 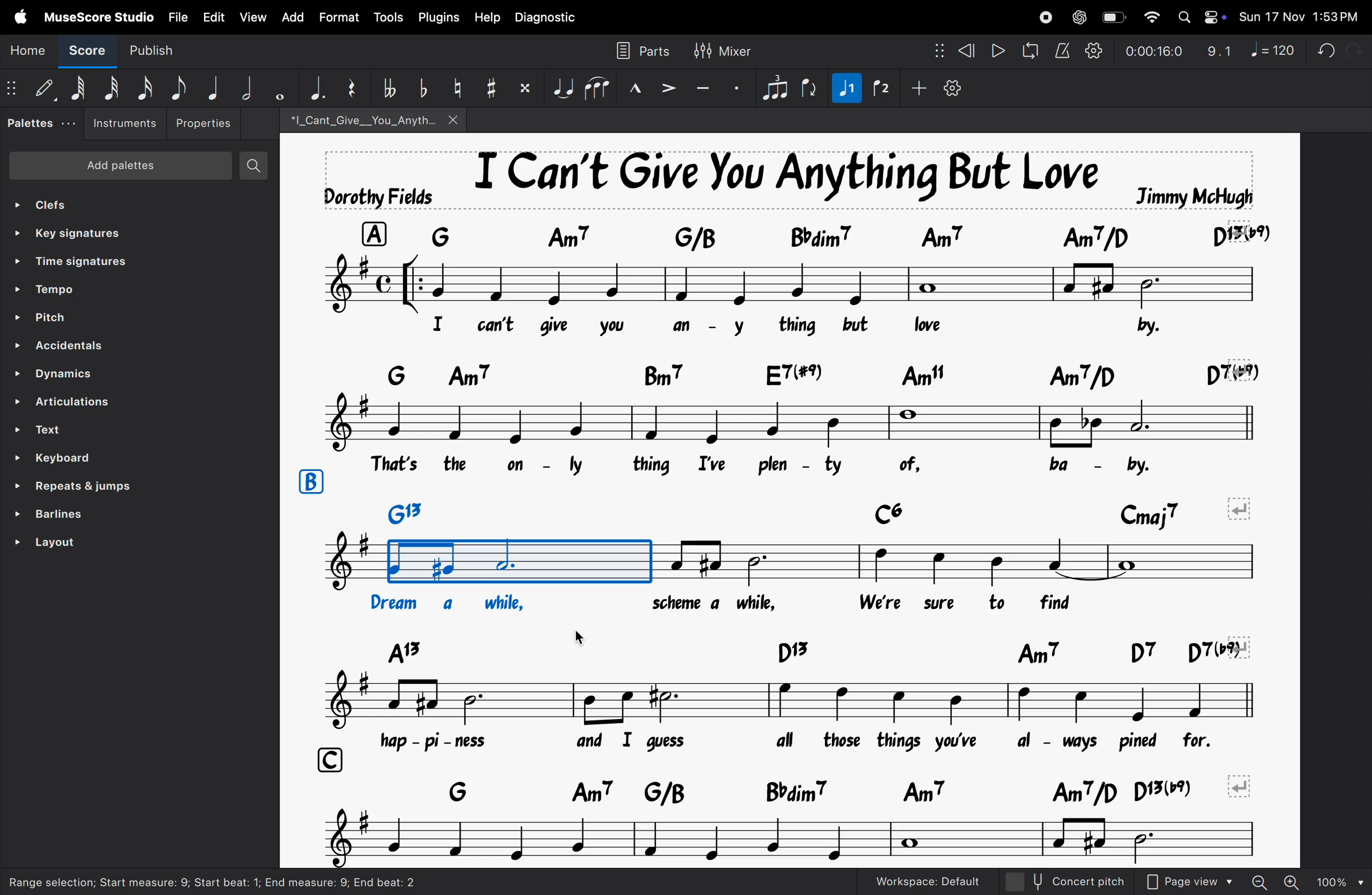 I want to click on whole note, so click(x=276, y=89).